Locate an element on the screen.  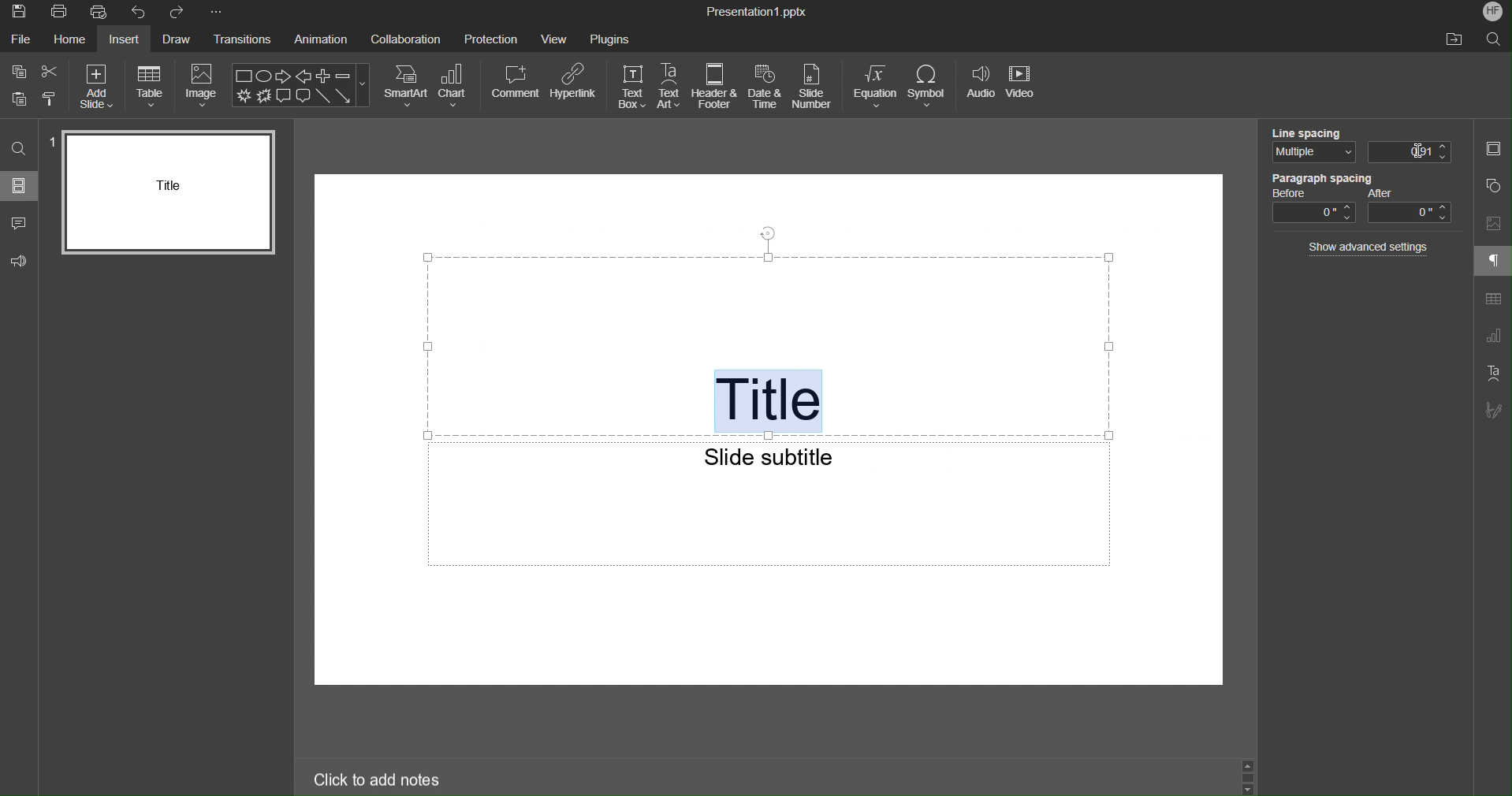
Slide subtitle is located at coordinates (771, 454).